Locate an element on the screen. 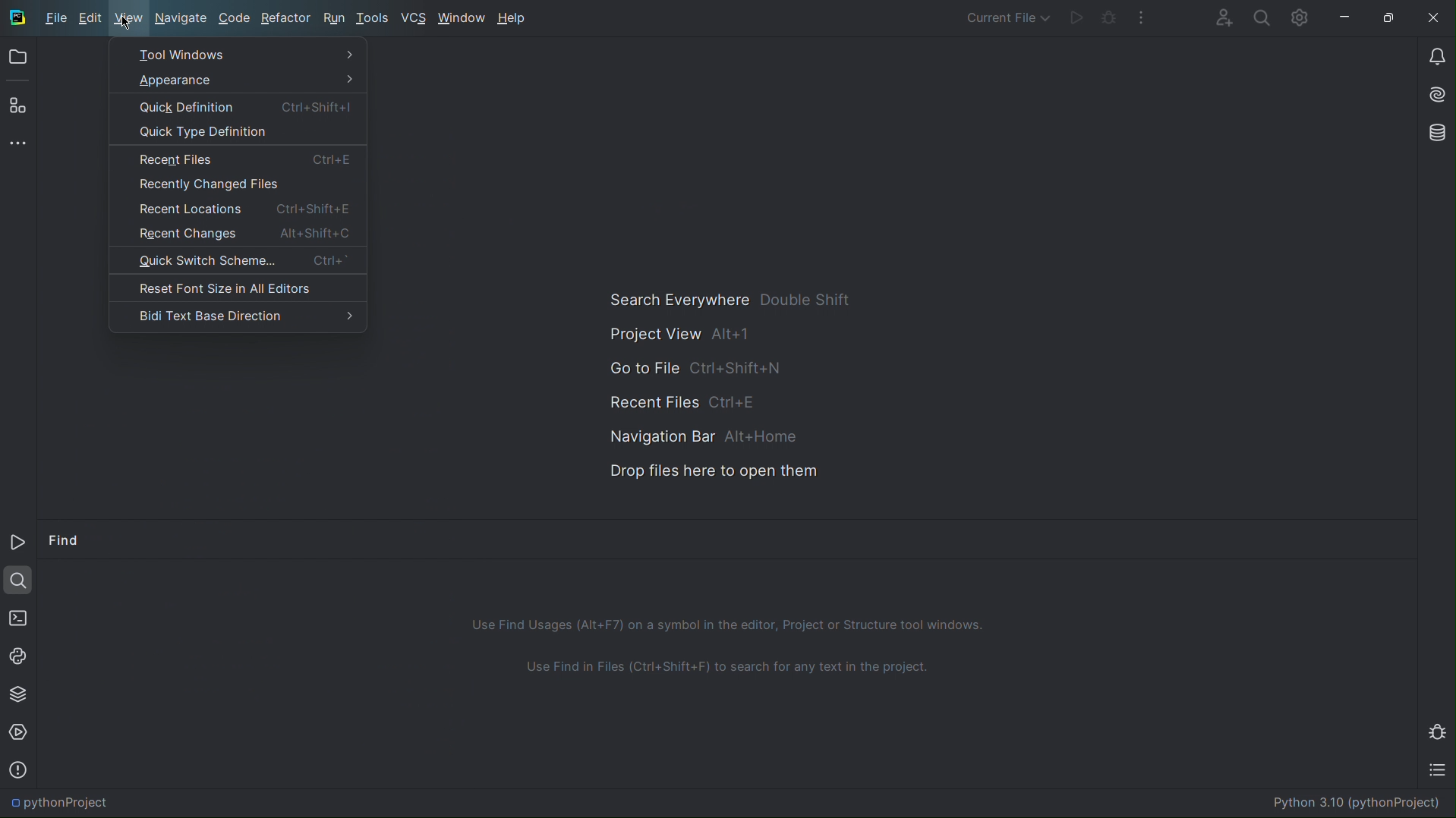 This screenshot has width=1456, height=818. Recent Locations is located at coordinates (235, 207).